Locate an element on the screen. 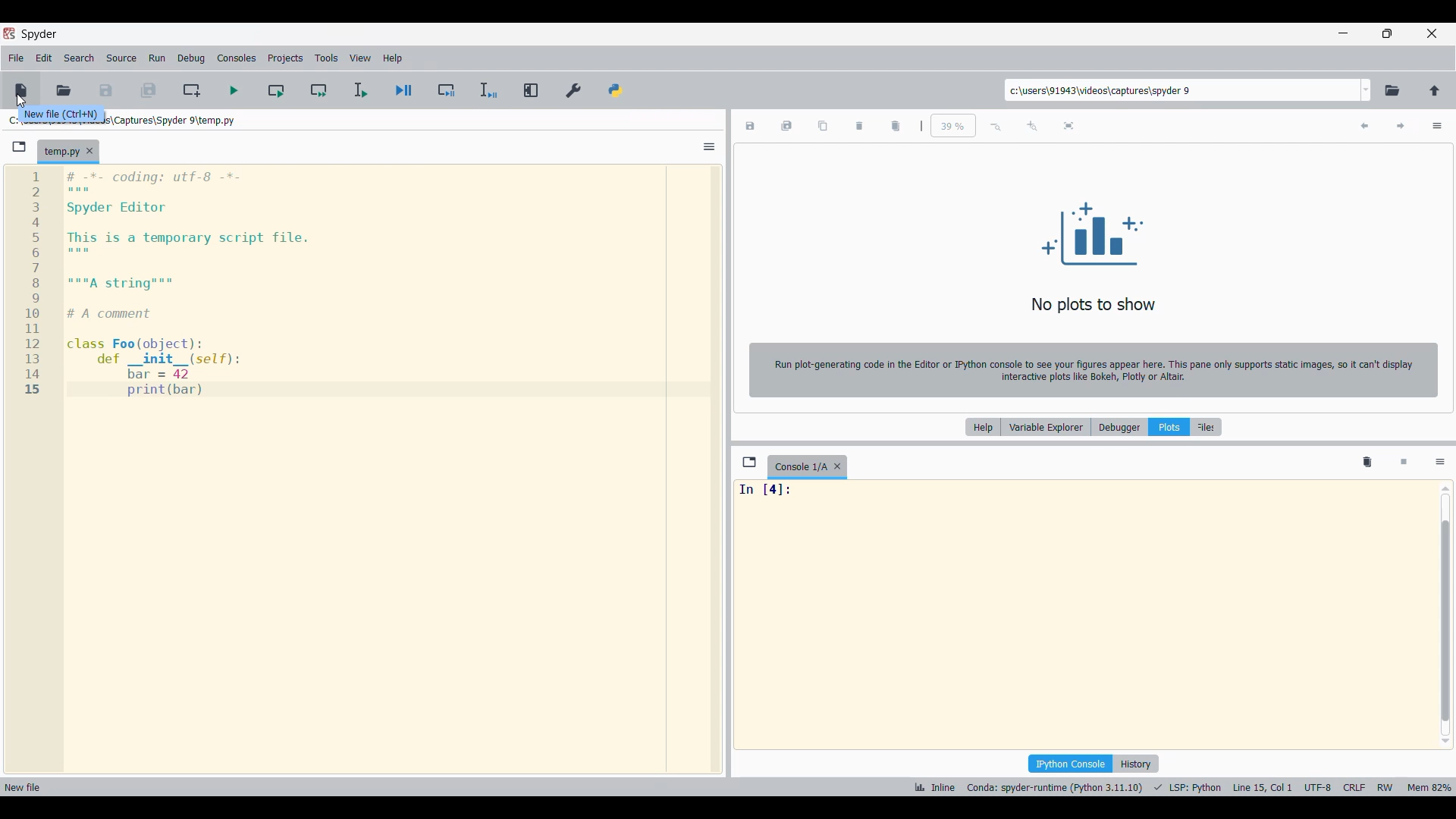  Help menu is located at coordinates (393, 58).